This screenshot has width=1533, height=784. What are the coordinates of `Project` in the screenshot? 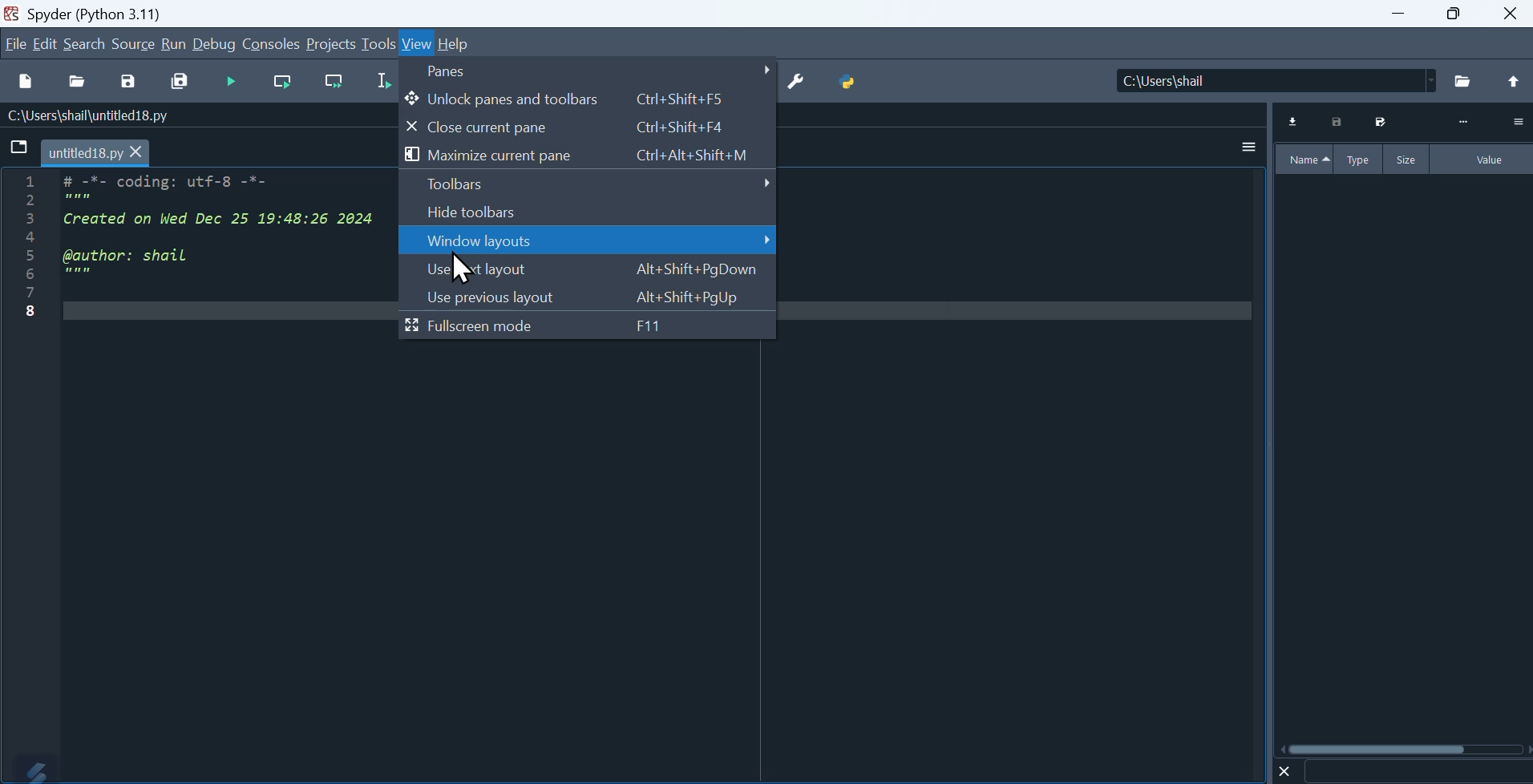 It's located at (330, 43).